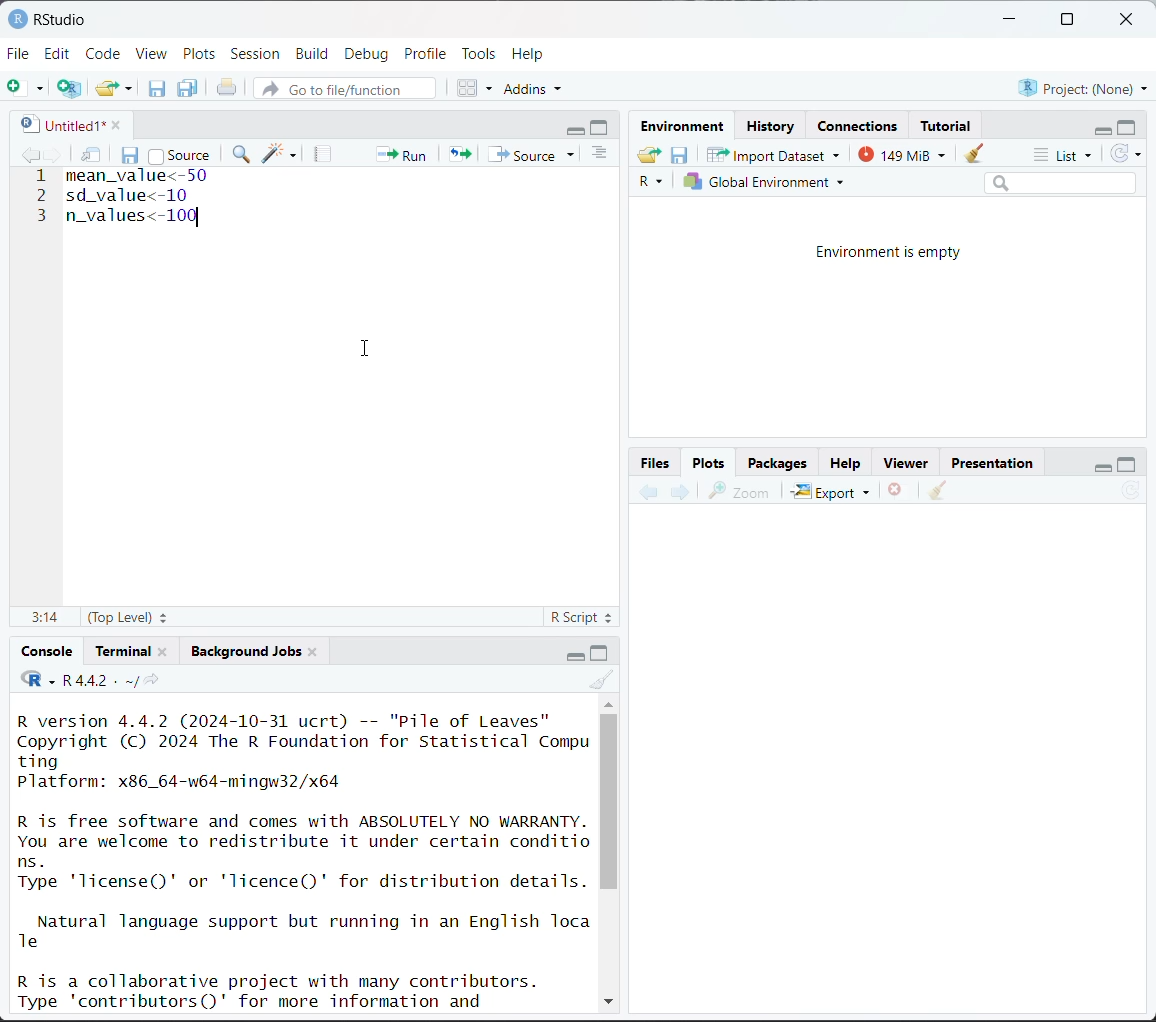 Image resolution: width=1156 pixels, height=1022 pixels. I want to click on remove the current plot, so click(896, 493).